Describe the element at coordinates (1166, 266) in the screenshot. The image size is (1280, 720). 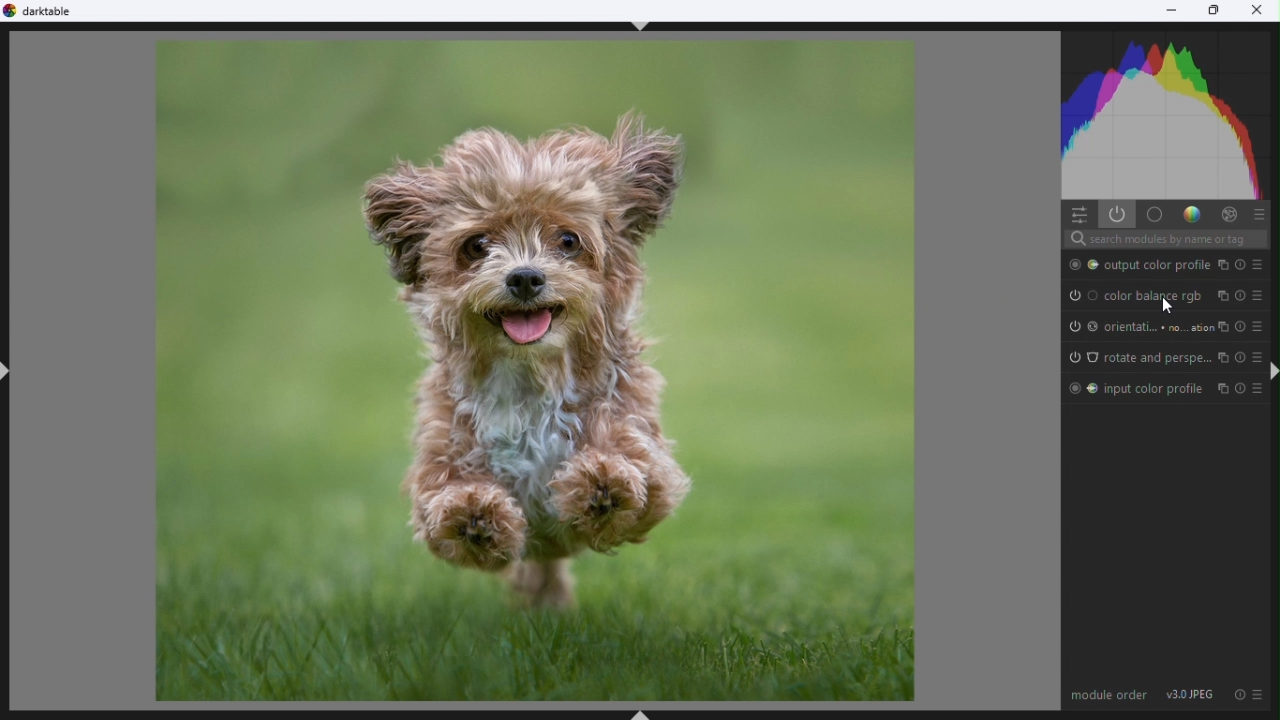
I see `Output colour profile` at that location.